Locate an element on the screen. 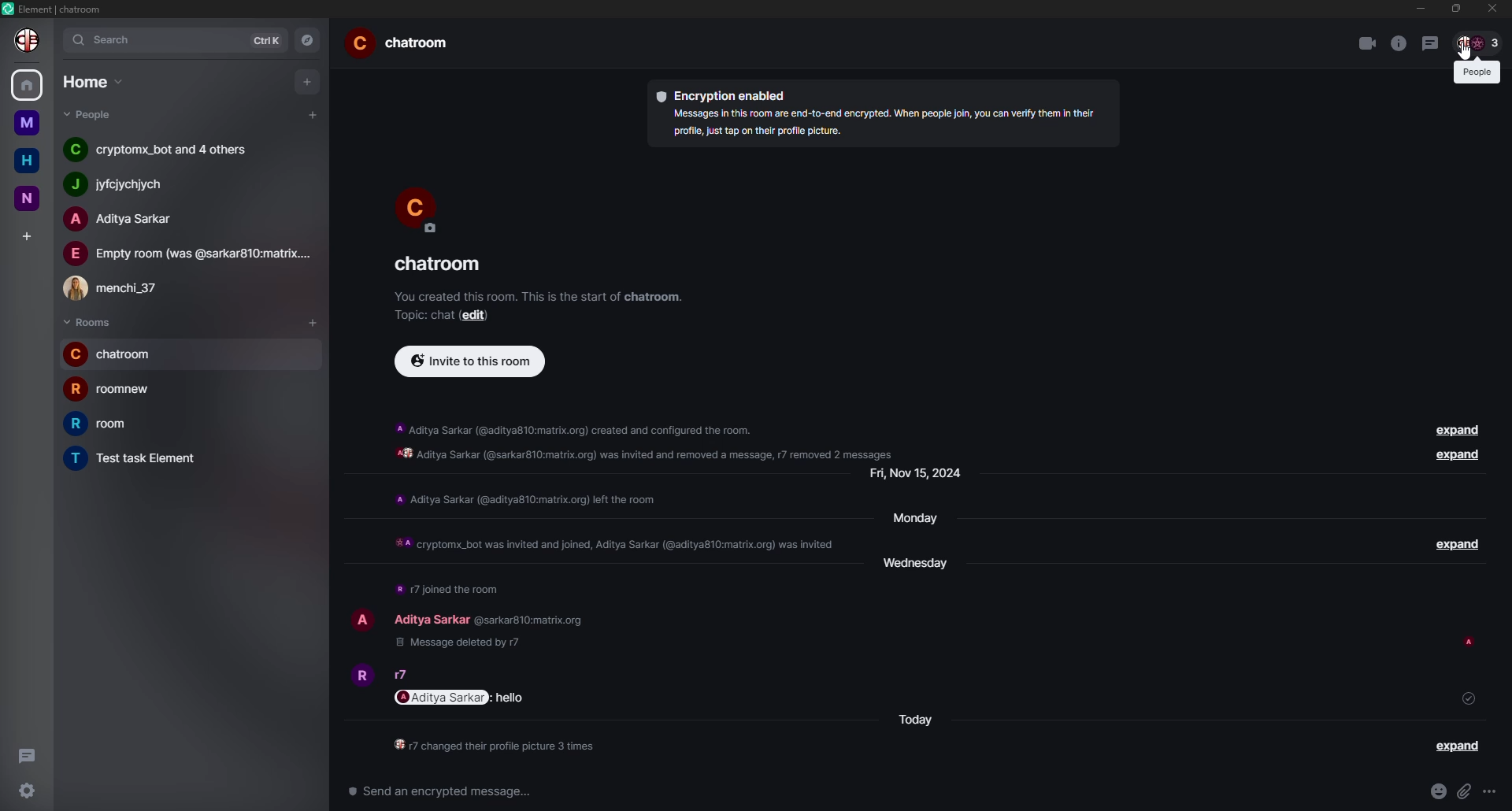 This screenshot has width=1512, height=811. home is located at coordinates (29, 161).